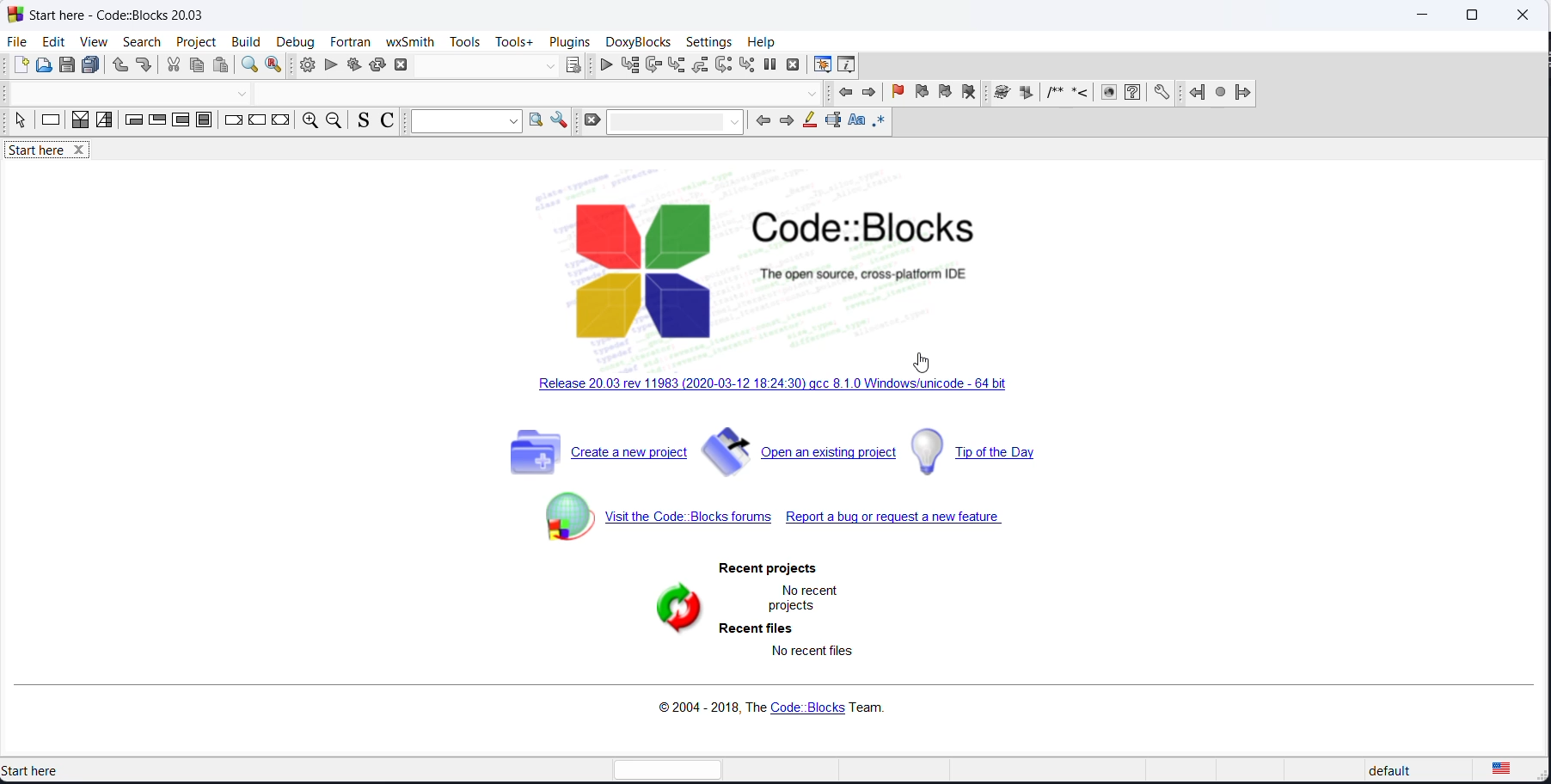 The width and height of the screenshot is (1551, 784). Describe the element at coordinates (672, 610) in the screenshot. I see `refresh` at that location.